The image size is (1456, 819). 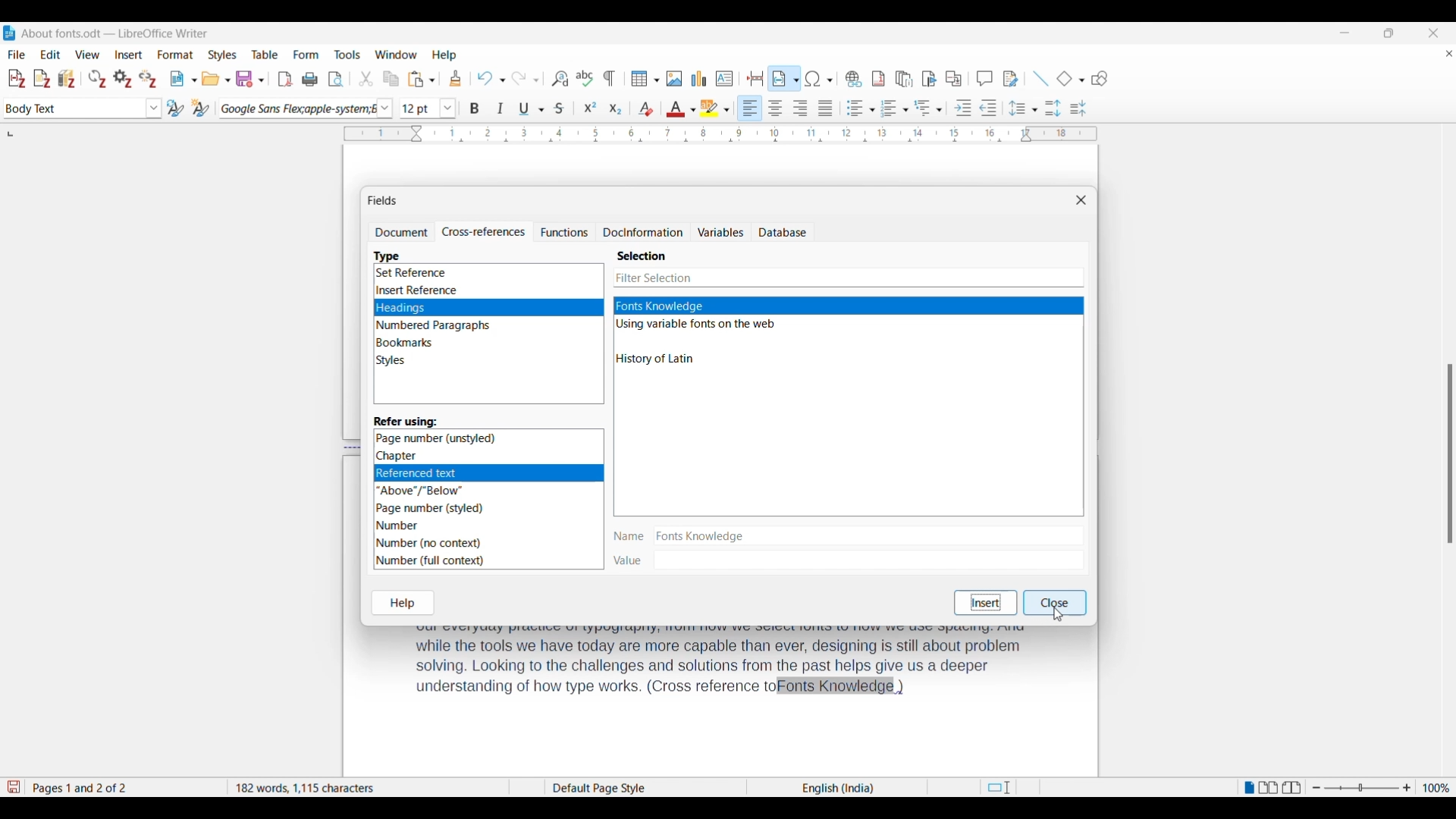 What do you see at coordinates (216, 79) in the screenshot?
I see `Open options` at bounding box center [216, 79].